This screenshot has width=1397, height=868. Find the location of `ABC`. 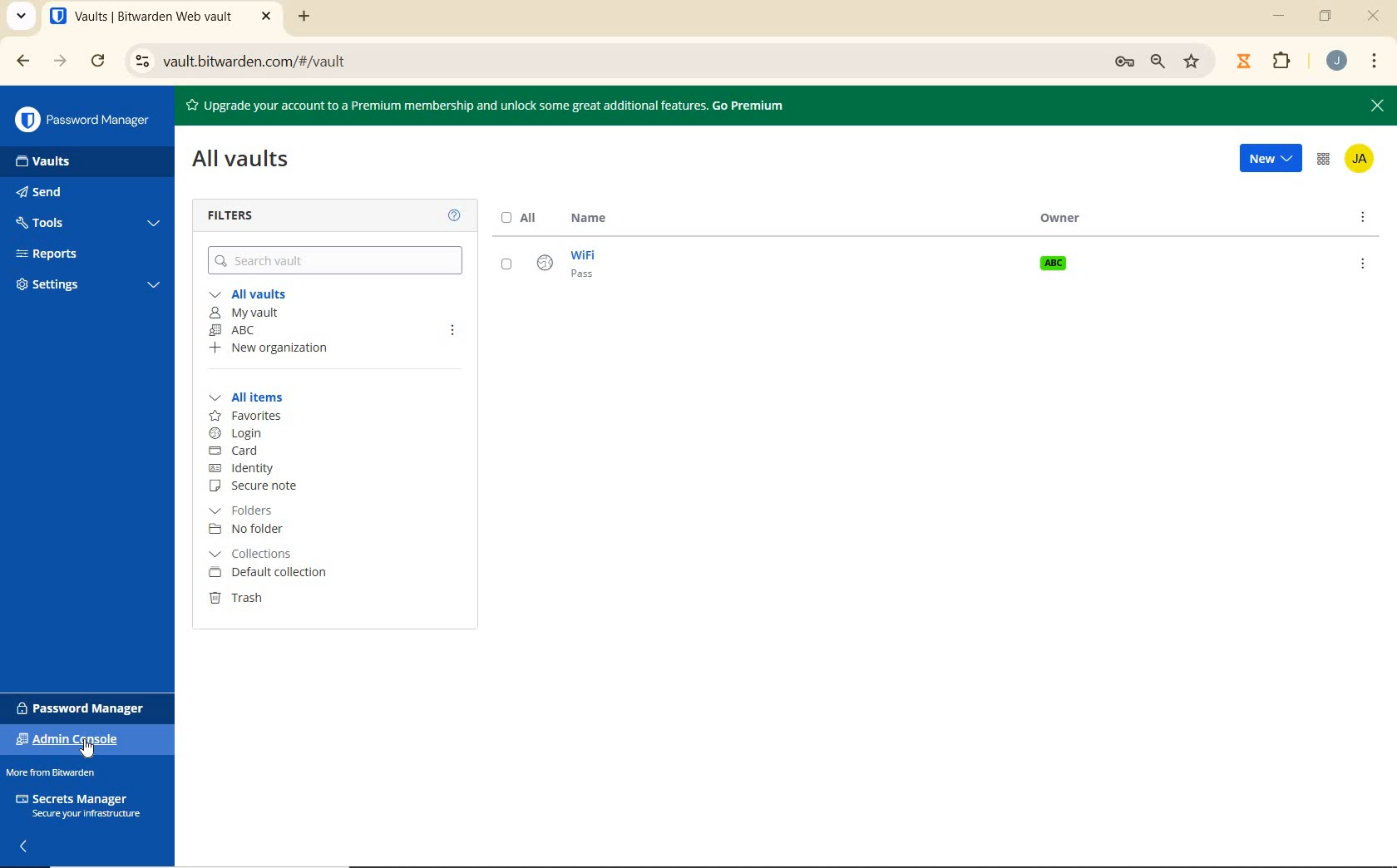

ABC is located at coordinates (254, 330).